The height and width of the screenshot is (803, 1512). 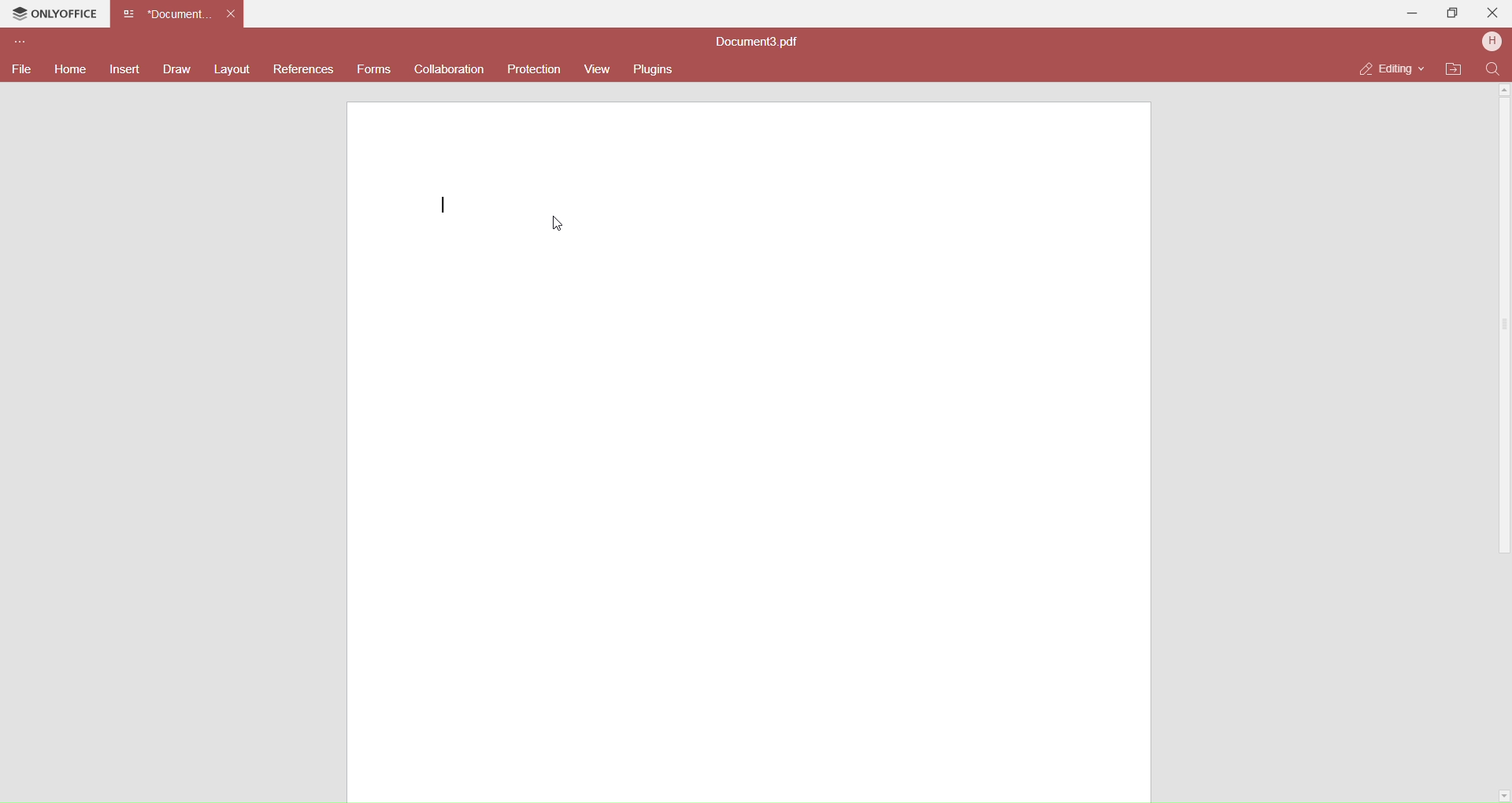 What do you see at coordinates (1493, 69) in the screenshot?
I see `Find` at bounding box center [1493, 69].